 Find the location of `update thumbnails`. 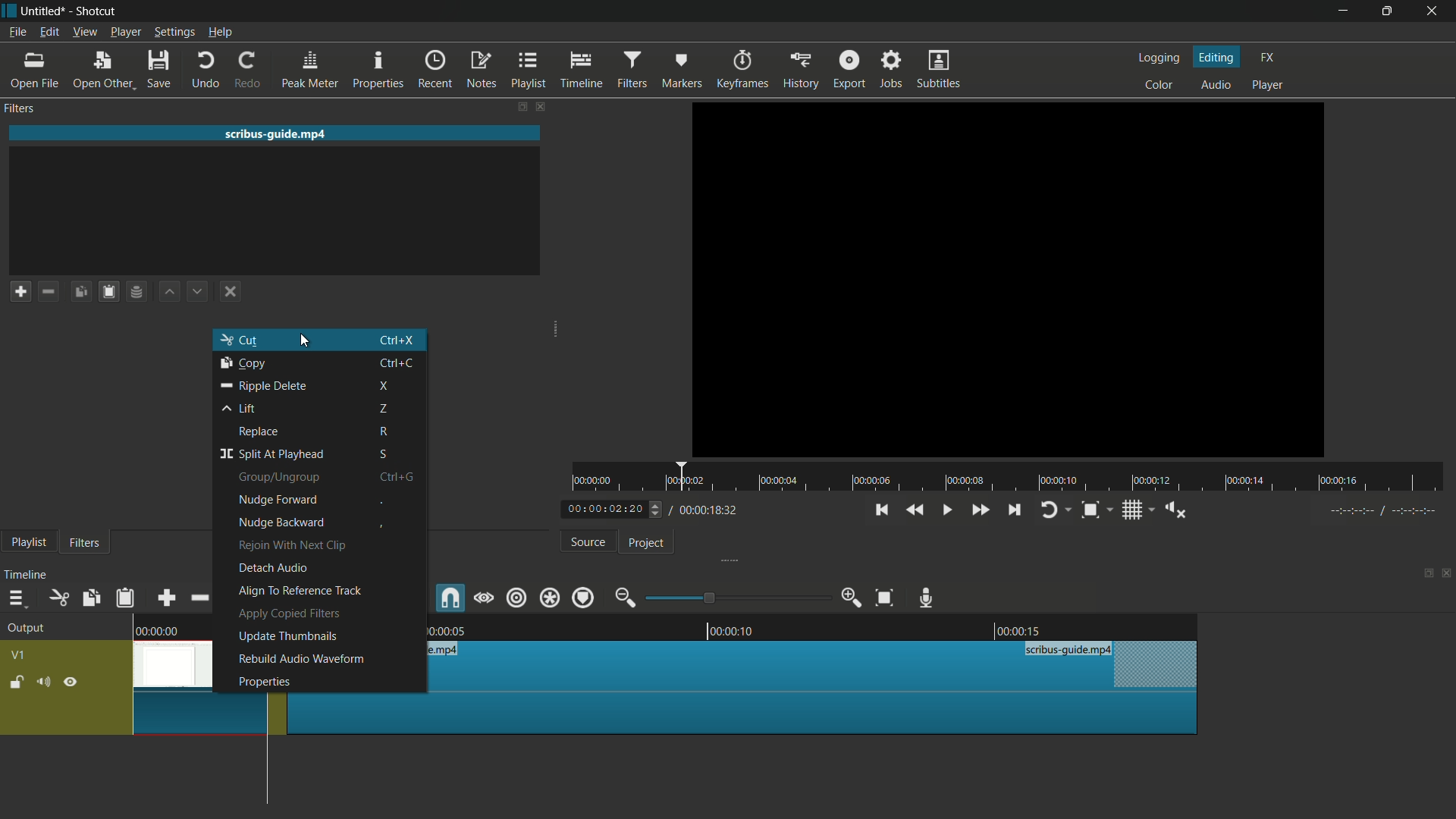

update thumbnails is located at coordinates (287, 635).